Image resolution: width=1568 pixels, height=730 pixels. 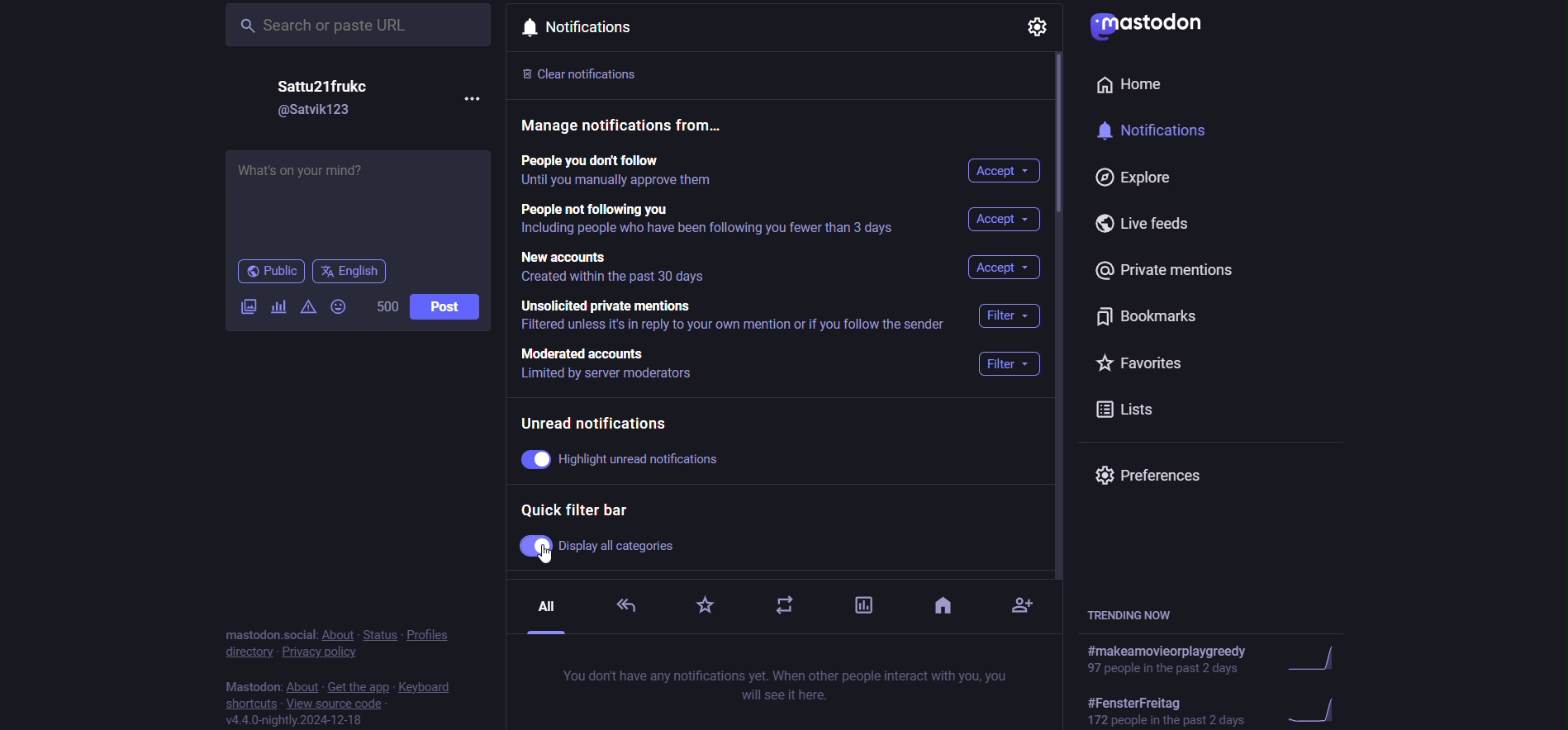 What do you see at coordinates (383, 308) in the screenshot?
I see `word limit` at bounding box center [383, 308].